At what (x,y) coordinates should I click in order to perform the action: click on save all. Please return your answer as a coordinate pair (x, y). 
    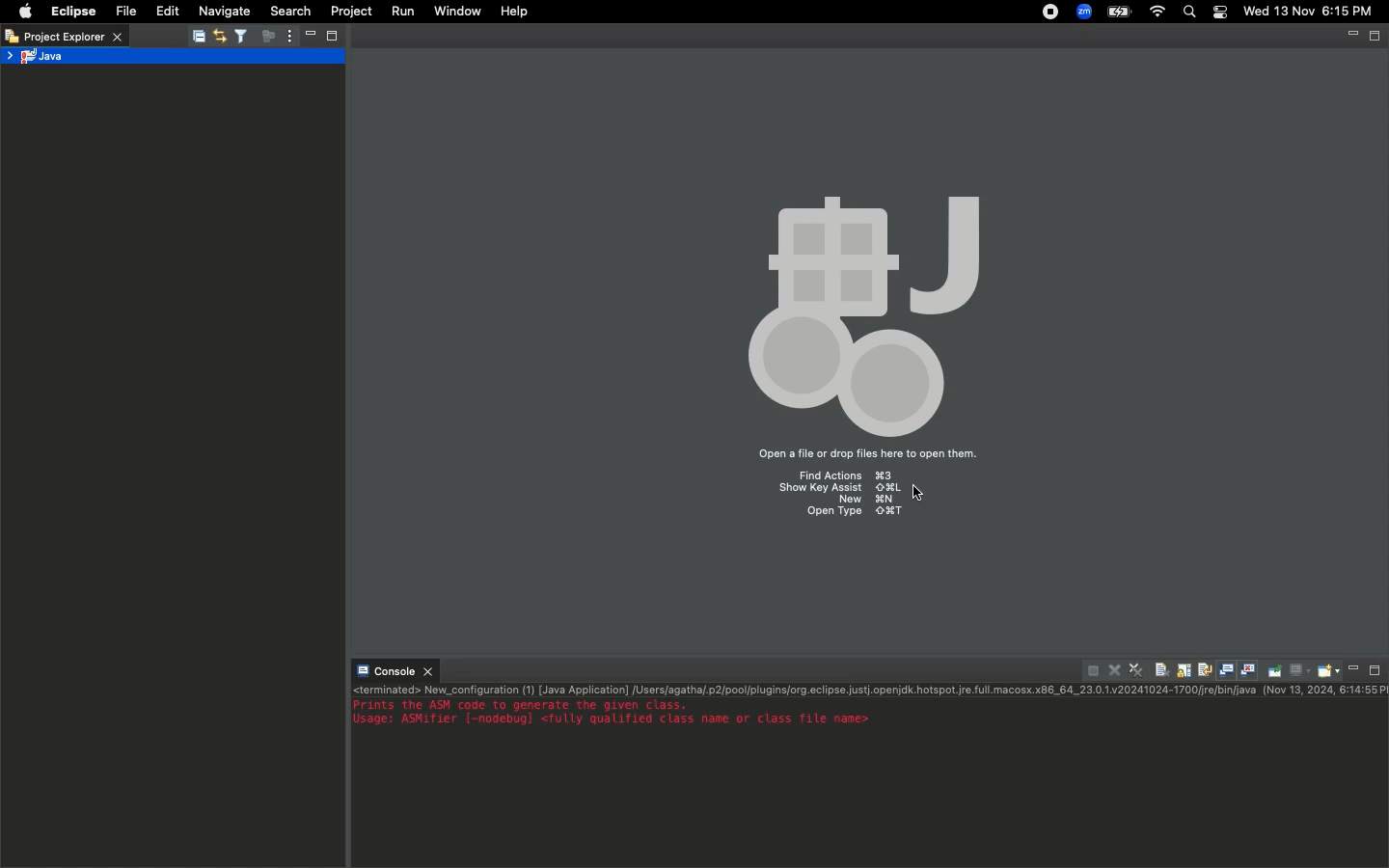
    Looking at the image, I should click on (197, 39).